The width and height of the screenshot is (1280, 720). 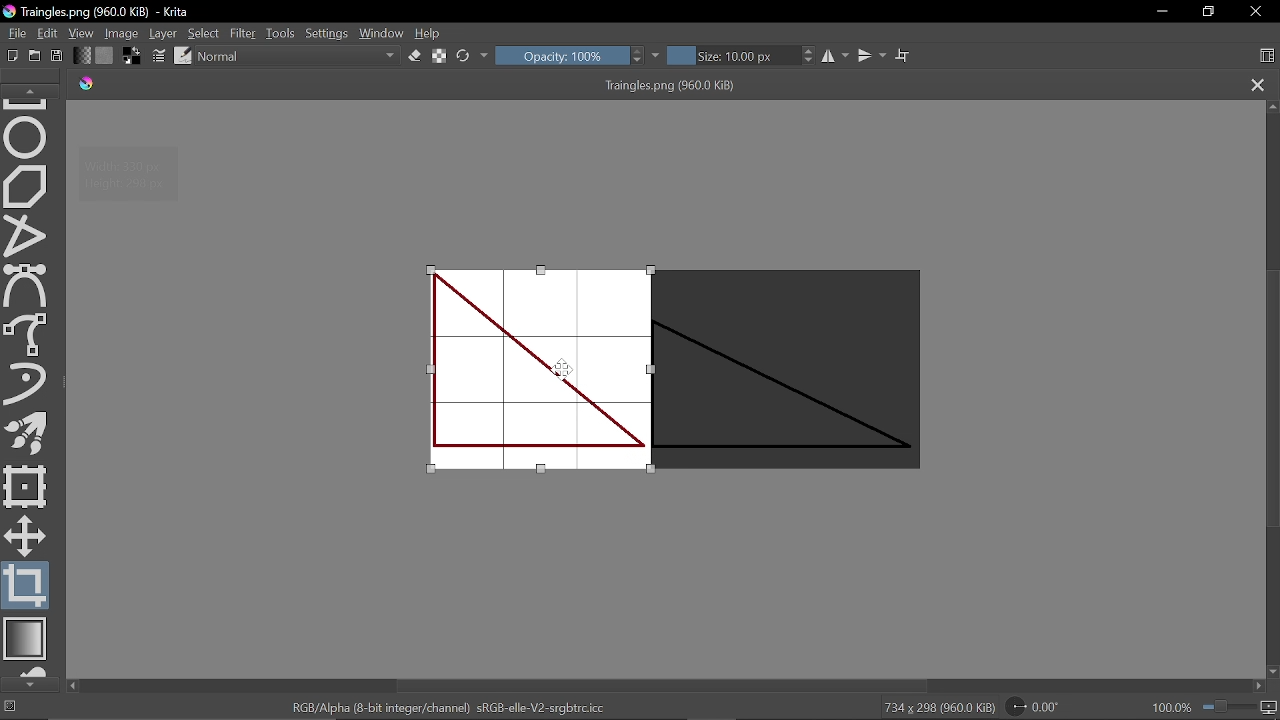 I want to click on Opacity: 100%, so click(x=561, y=55).